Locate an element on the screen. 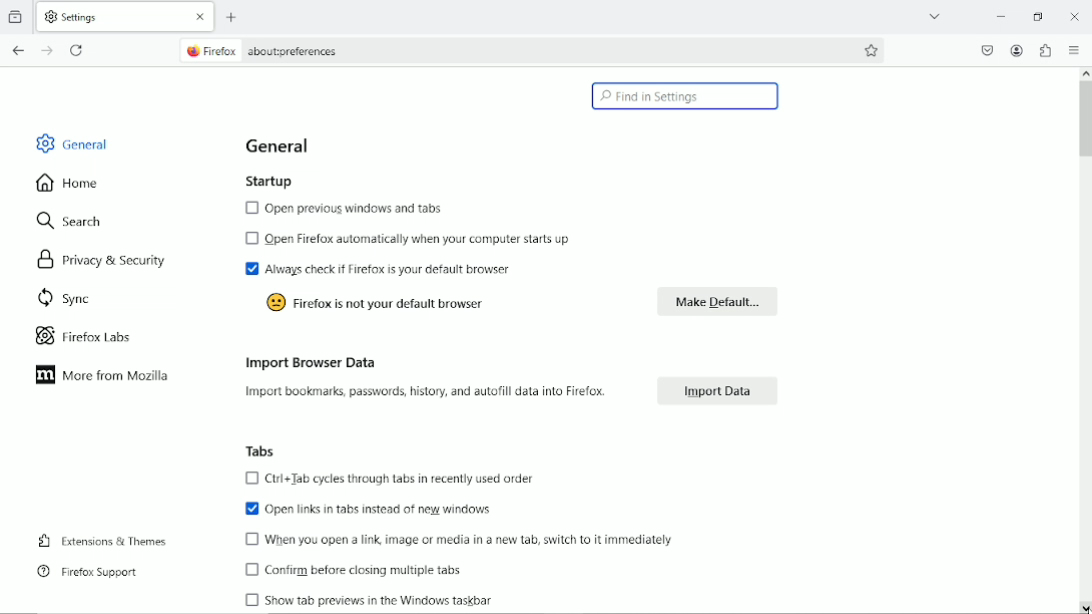  Sync is located at coordinates (65, 298).